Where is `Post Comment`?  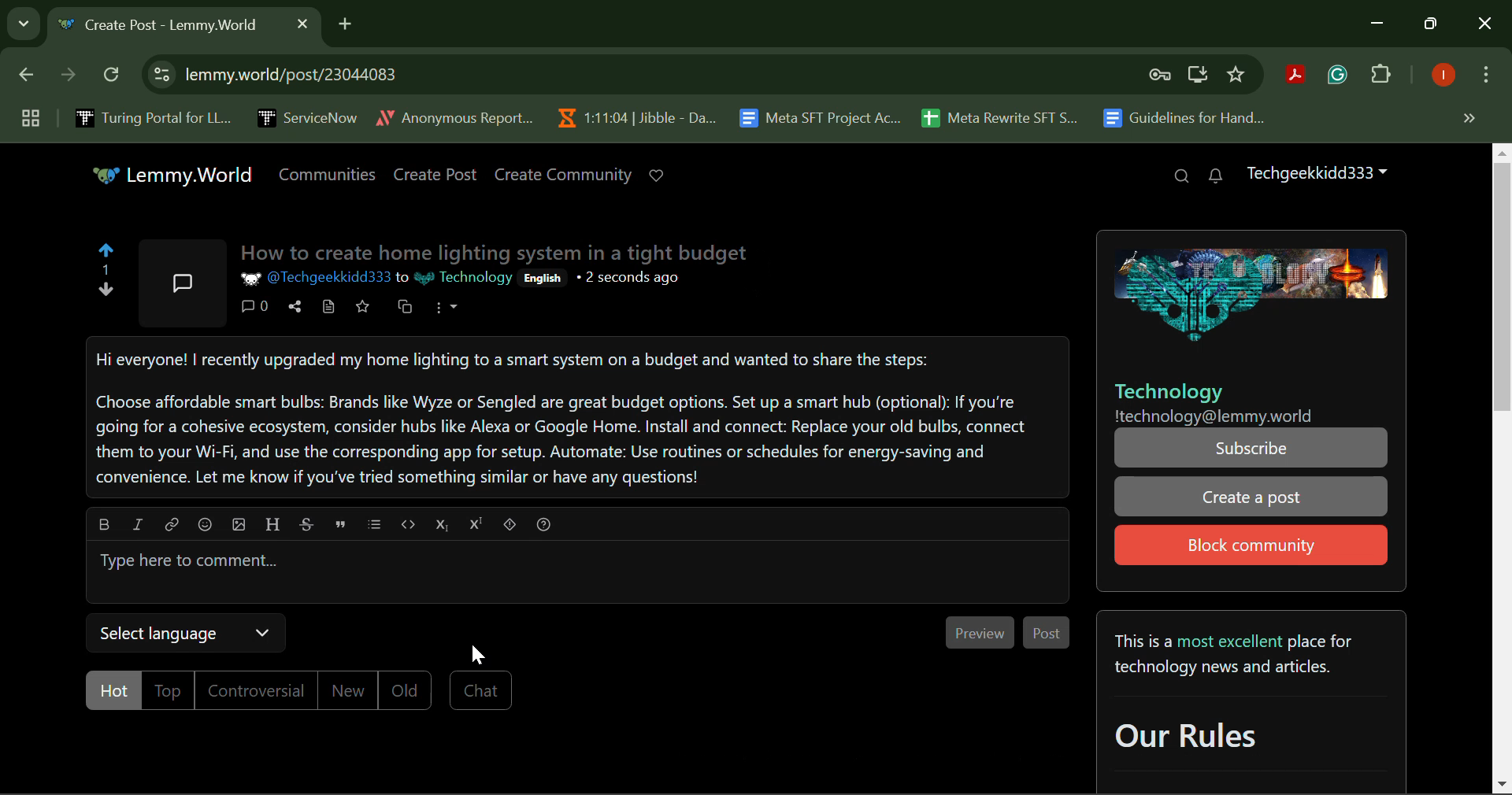
Post Comment is located at coordinates (1047, 634).